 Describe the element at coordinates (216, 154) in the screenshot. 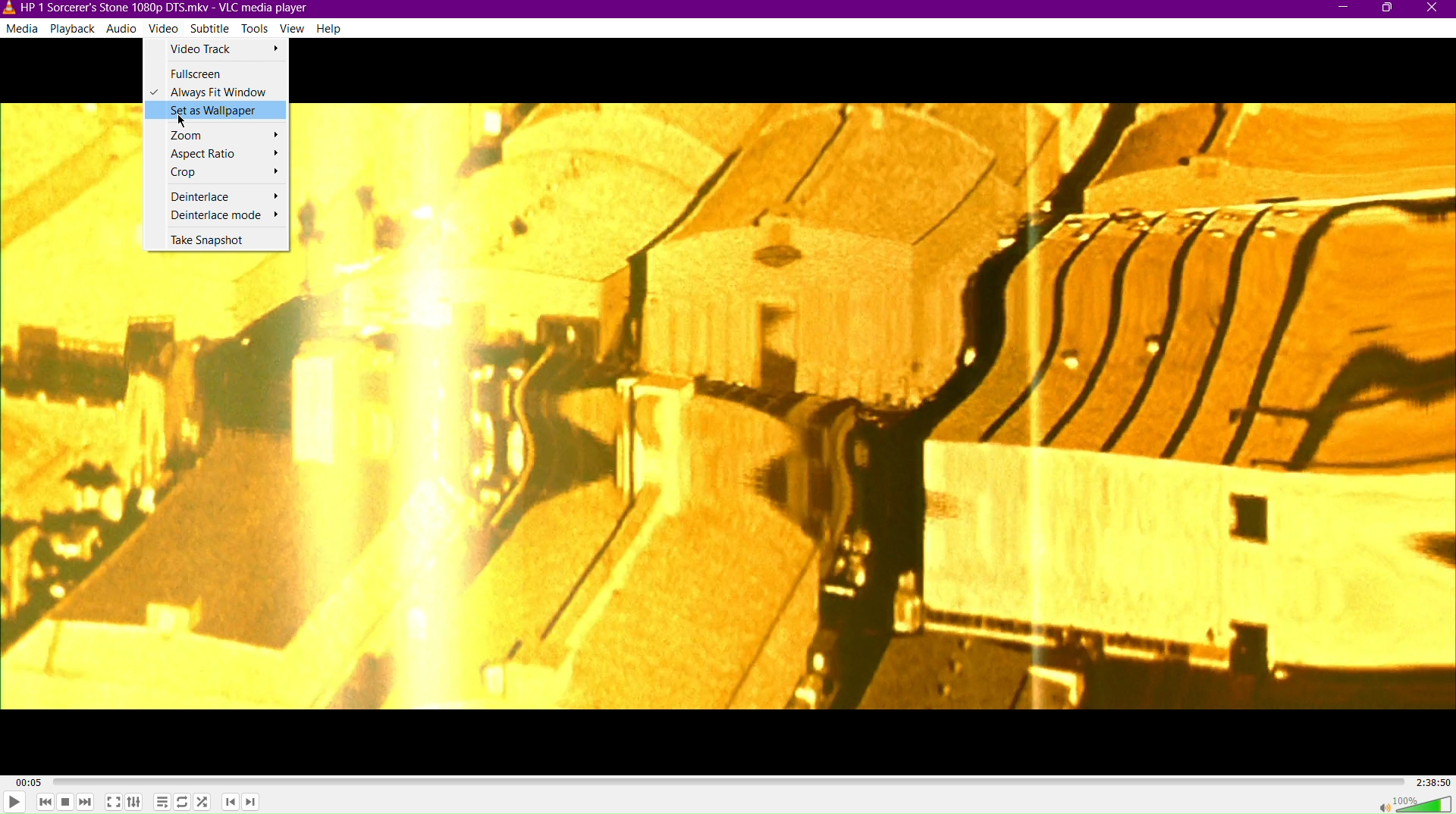

I see `Aspect` at that location.